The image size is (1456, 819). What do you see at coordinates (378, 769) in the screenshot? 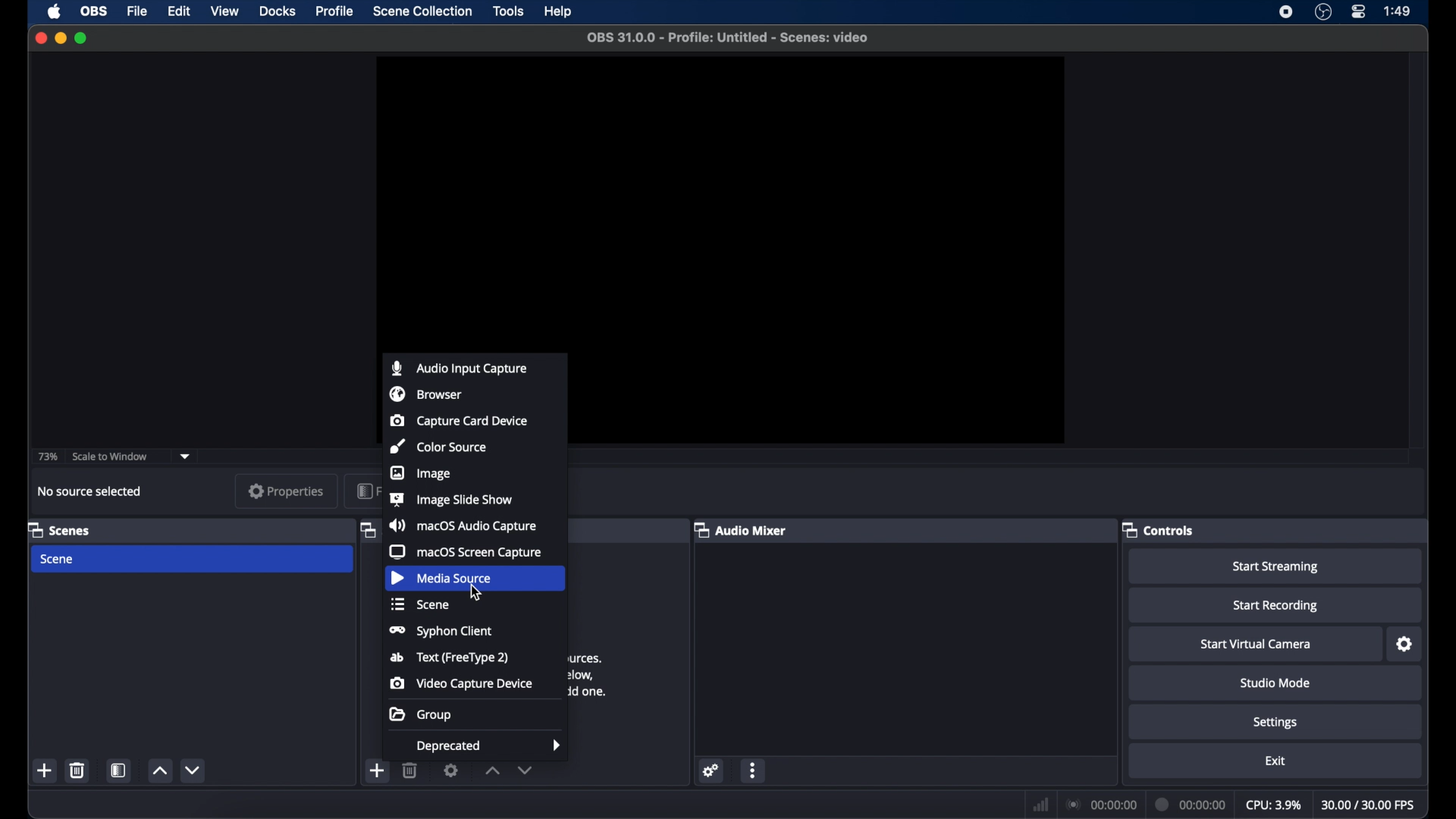
I see `add` at bounding box center [378, 769].